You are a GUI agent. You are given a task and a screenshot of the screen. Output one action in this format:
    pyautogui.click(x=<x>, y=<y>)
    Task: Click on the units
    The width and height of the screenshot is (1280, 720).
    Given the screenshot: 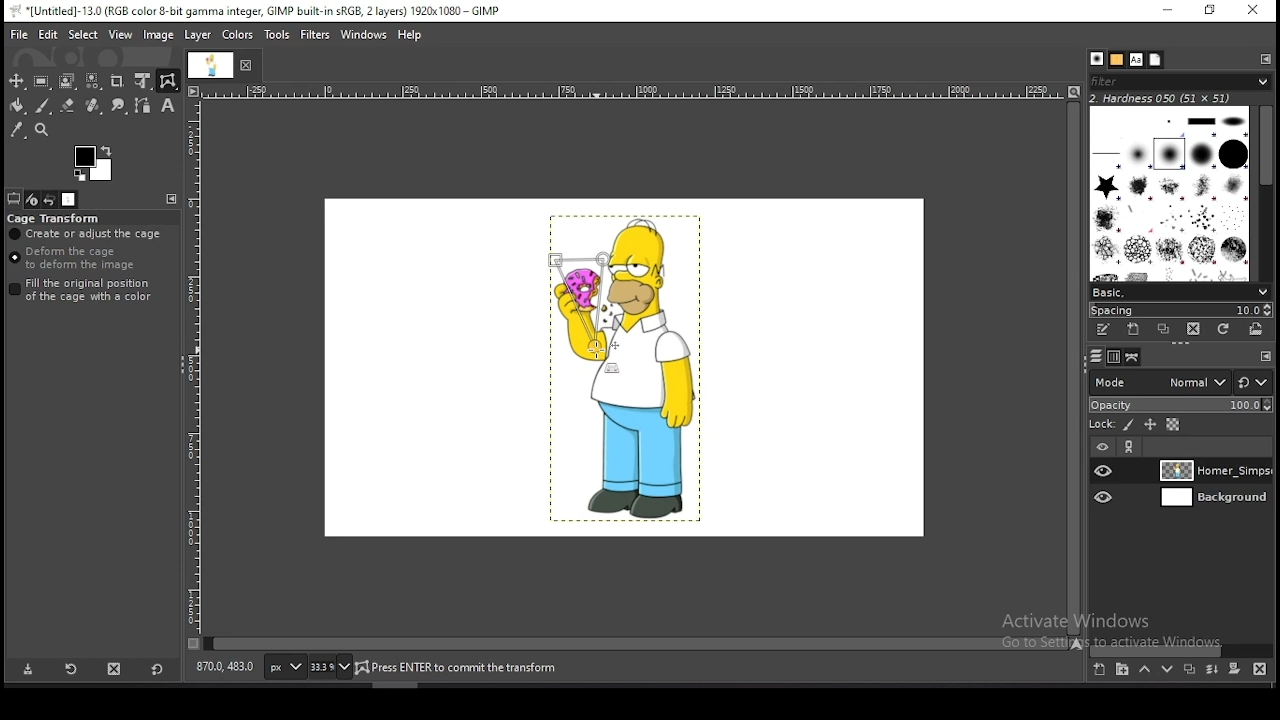 What is the action you would take?
    pyautogui.click(x=283, y=668)
    